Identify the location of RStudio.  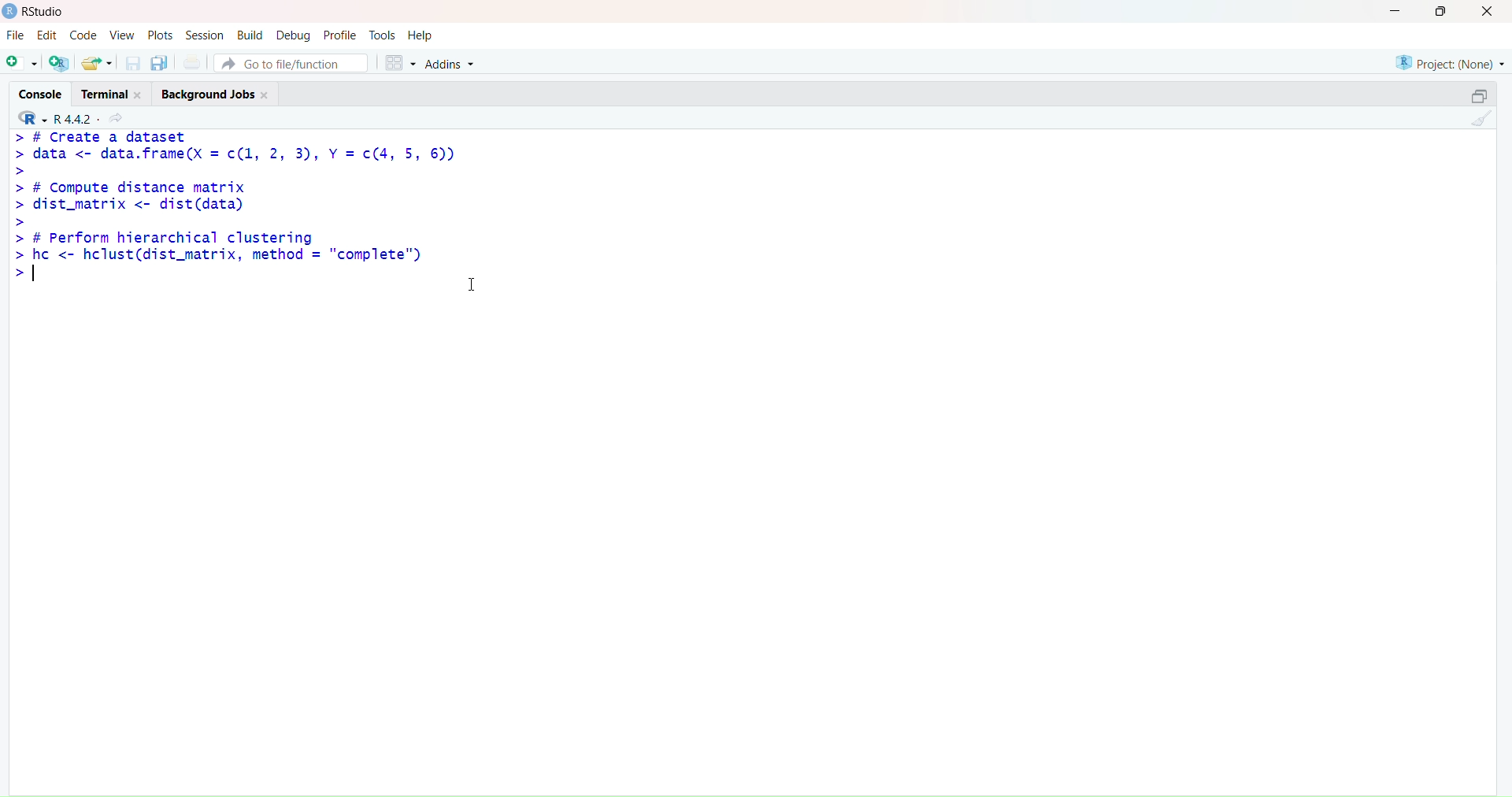
(39, 13).